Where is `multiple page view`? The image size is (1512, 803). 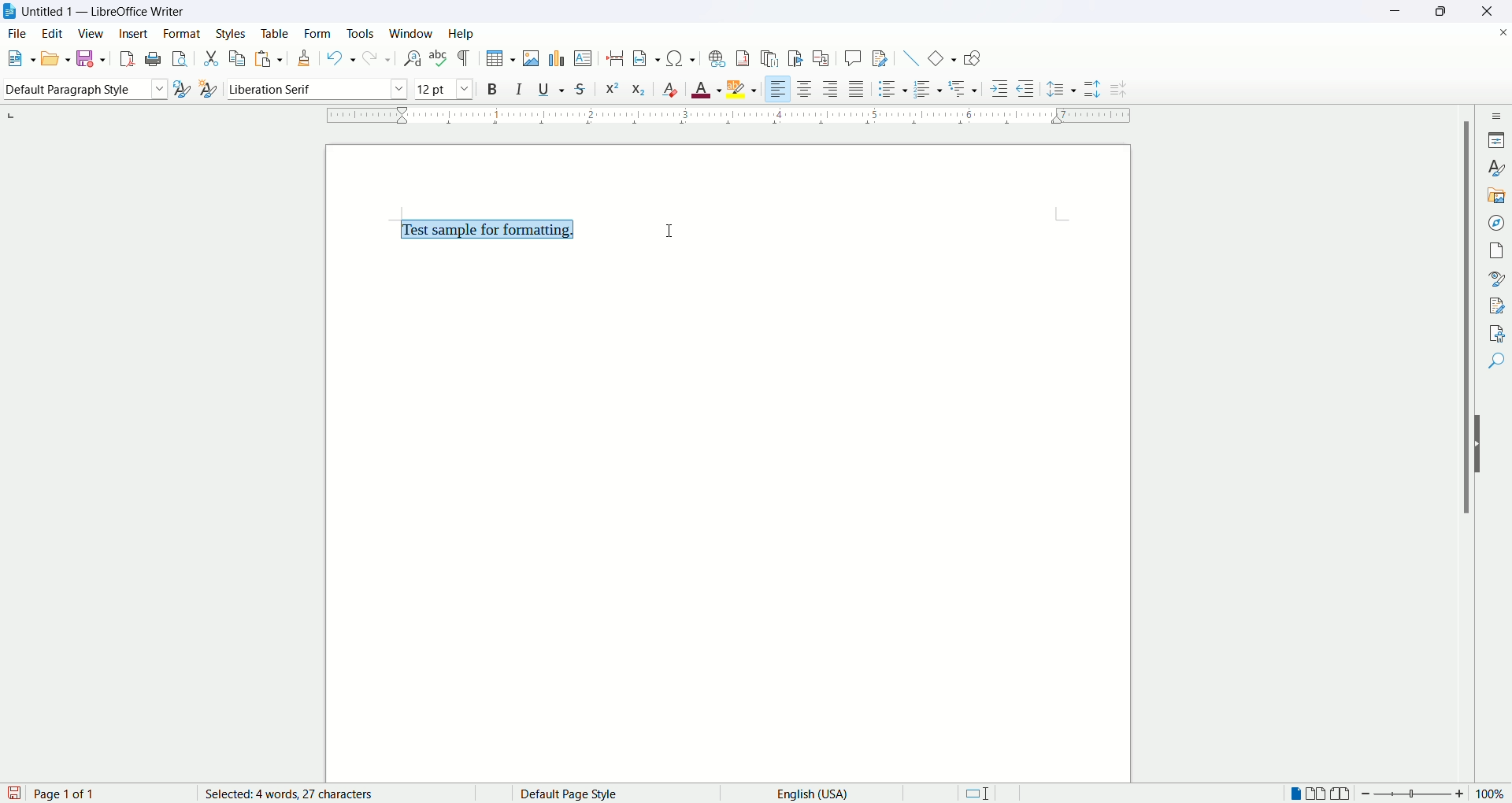 multiple page view is located at coordinates (1320, 794).